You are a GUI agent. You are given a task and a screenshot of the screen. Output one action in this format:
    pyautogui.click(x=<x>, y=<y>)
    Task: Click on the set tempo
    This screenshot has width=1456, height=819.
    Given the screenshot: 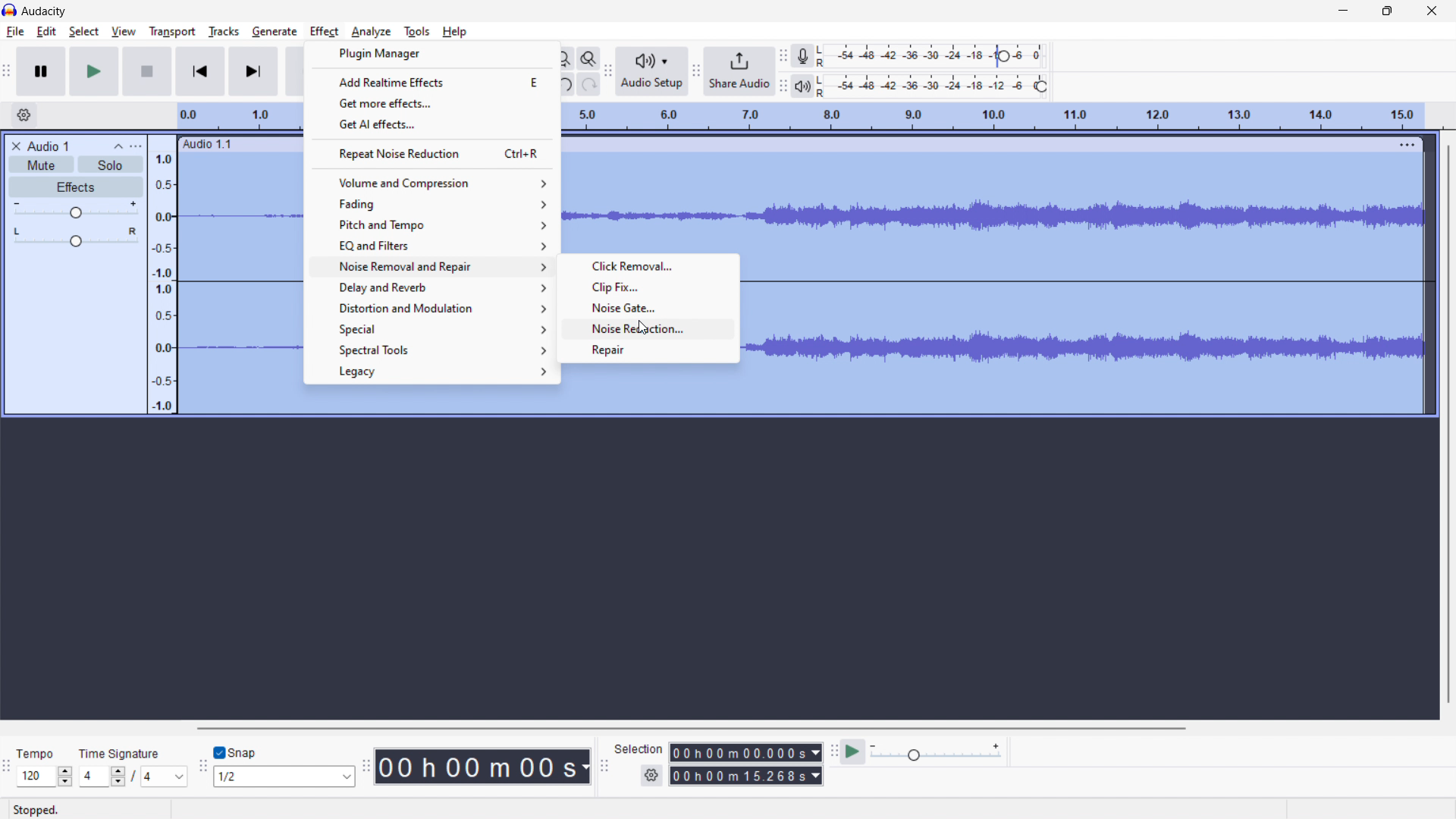 What is the action you would take?
    pyautogui.click(x=45, y=765)
    